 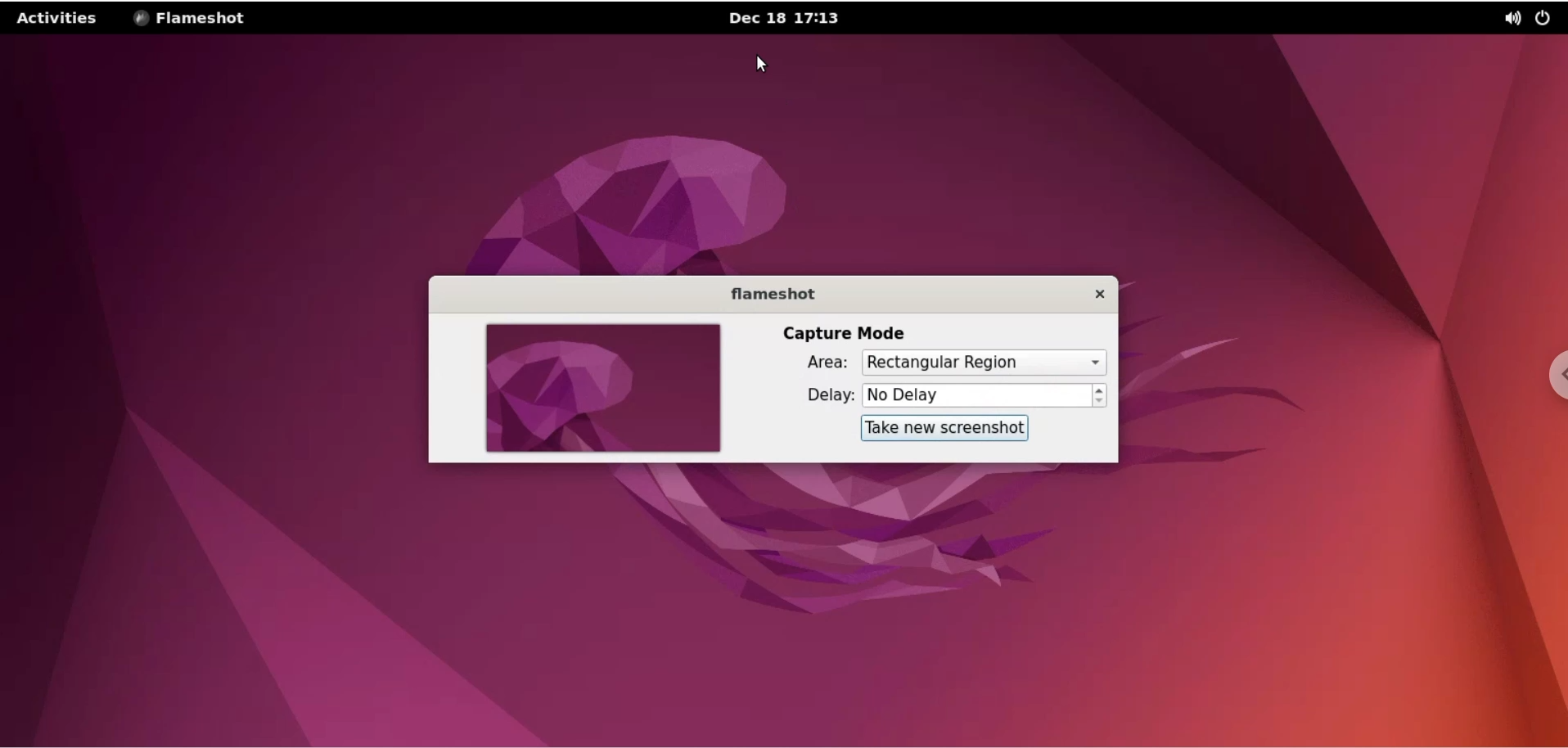 I want to click on delay label, so click(x=819, y=395).